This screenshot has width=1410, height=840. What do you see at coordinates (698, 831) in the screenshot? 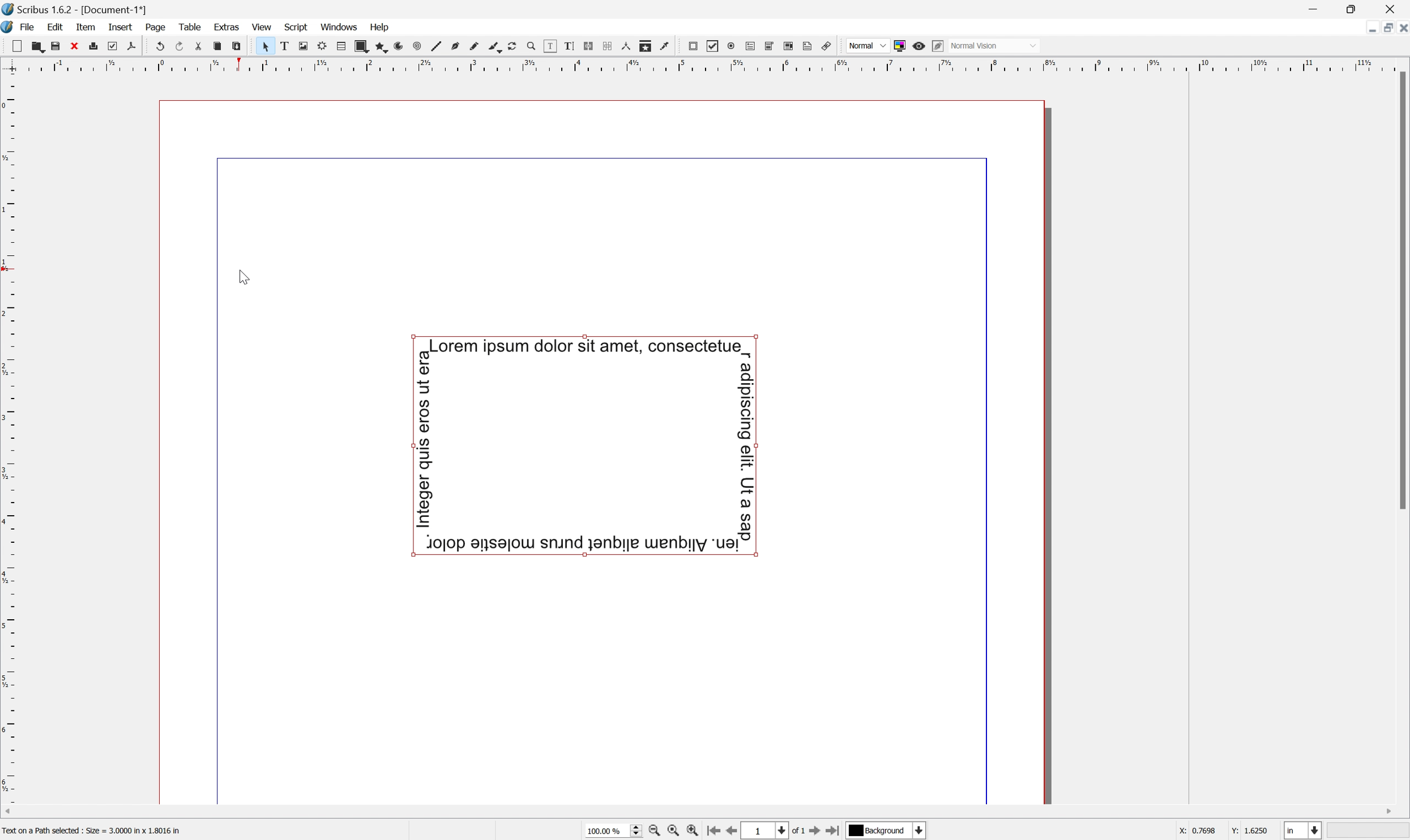
I see `Zoom in by the stepping value in tools preferences` at bounding box center [698, 831].